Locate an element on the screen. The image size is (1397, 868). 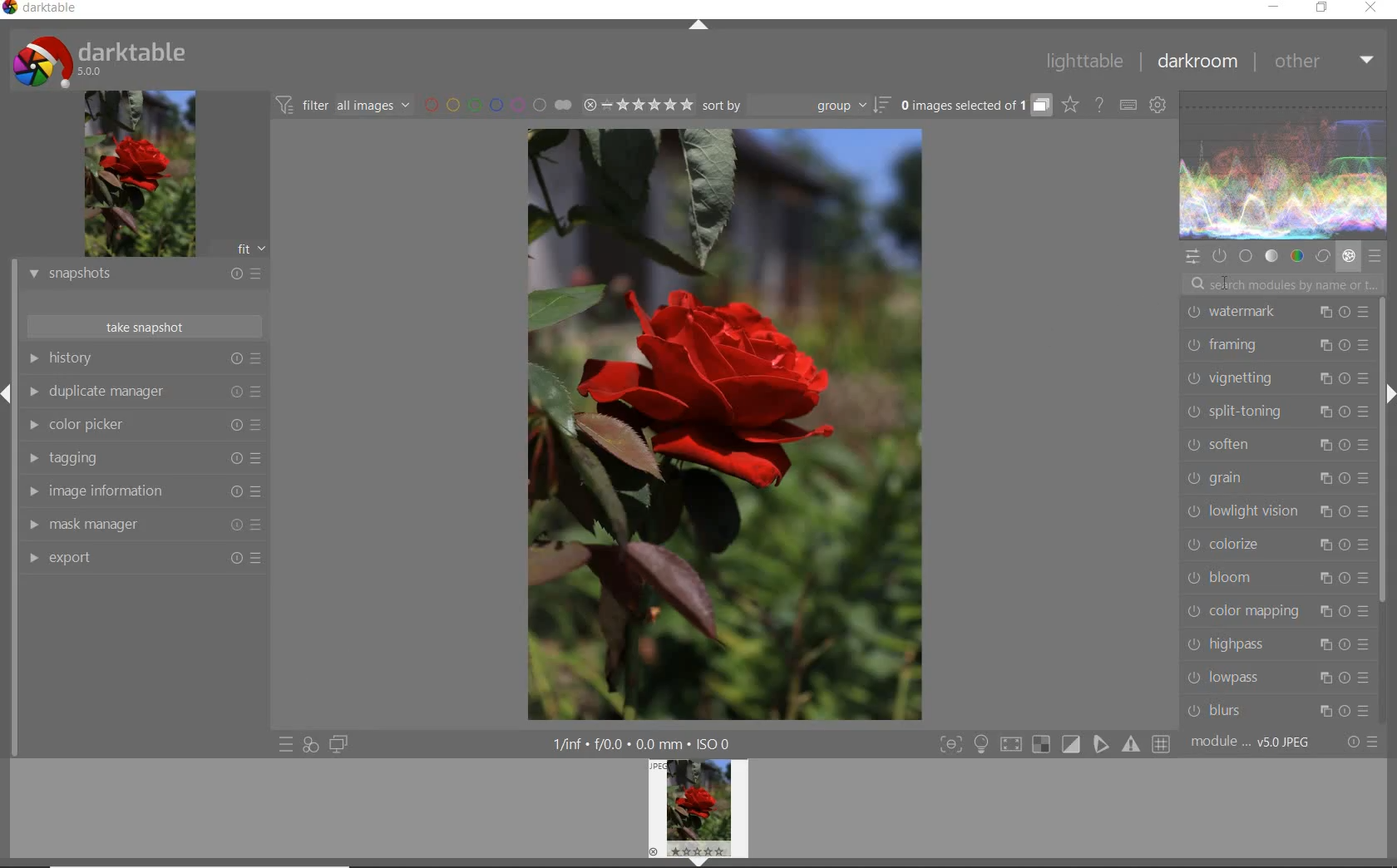
other is located at coordinates (1322, 63).